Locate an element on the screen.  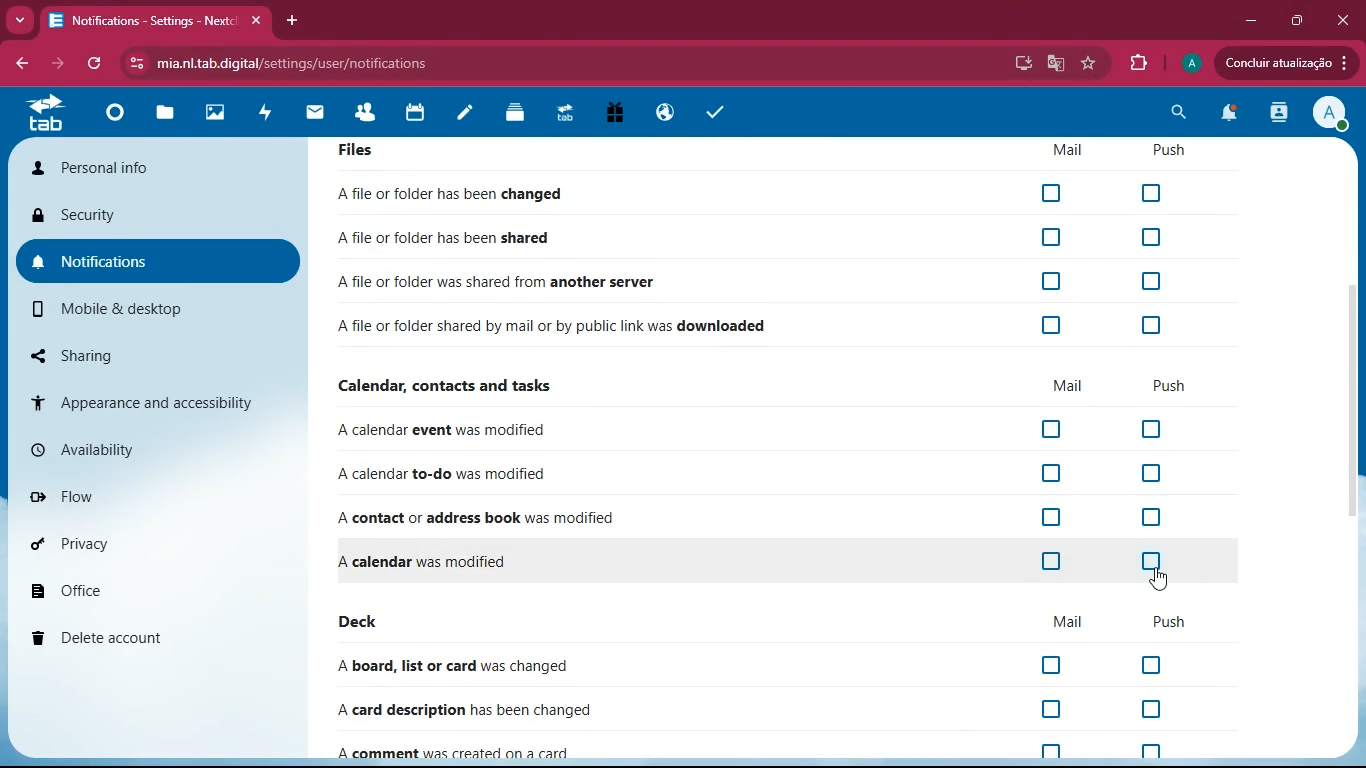
desktop is located at coordinates (1020, 65).